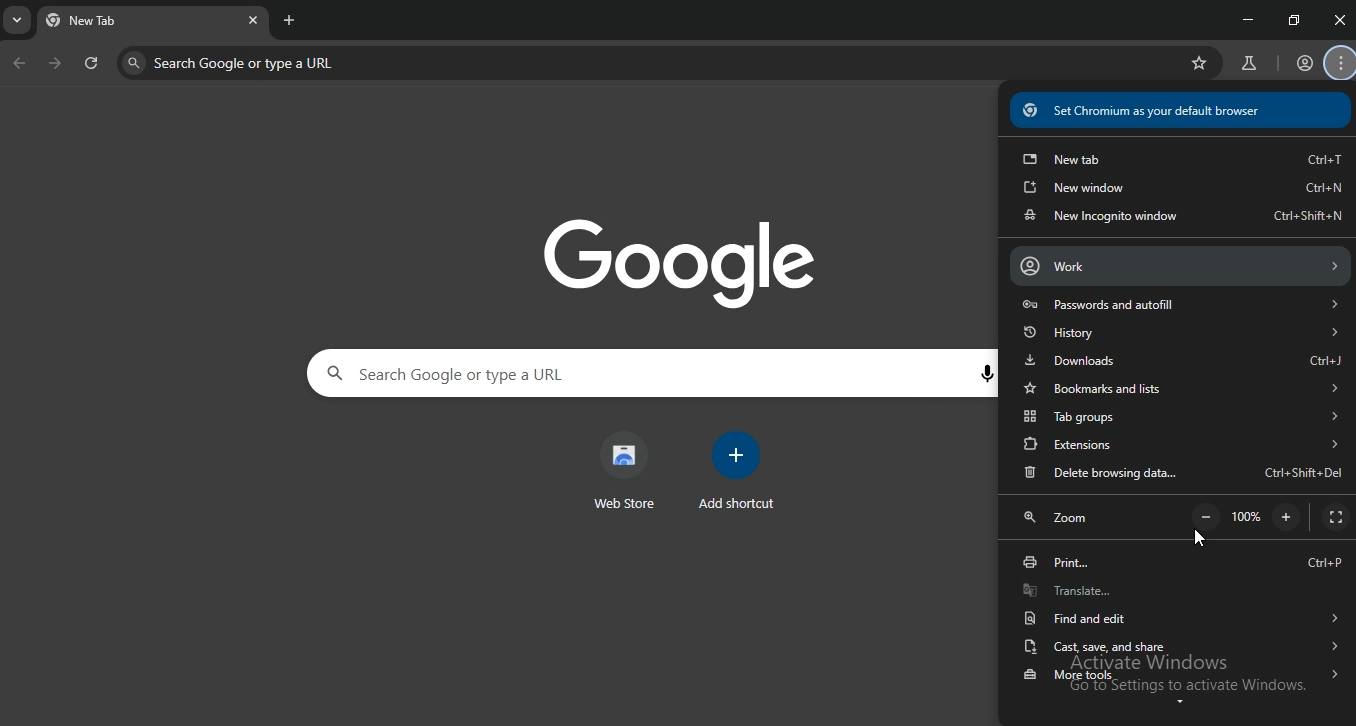 Image resolution: width=1356 pixels, height=726 pixels. I want to click on translate, so click(1175, 592).